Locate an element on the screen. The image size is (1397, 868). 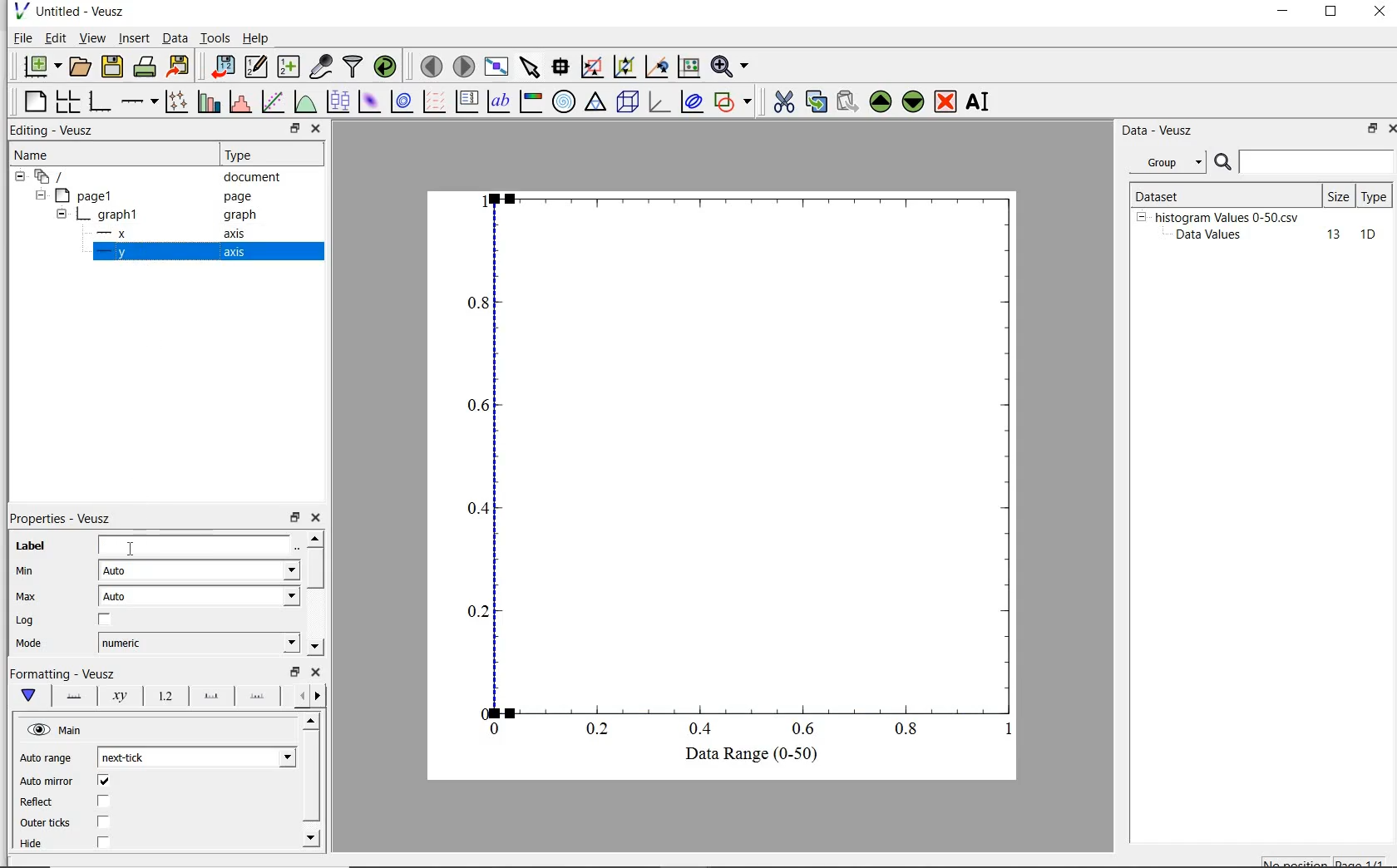
import data into veusz is located at coordinates (225, 67).